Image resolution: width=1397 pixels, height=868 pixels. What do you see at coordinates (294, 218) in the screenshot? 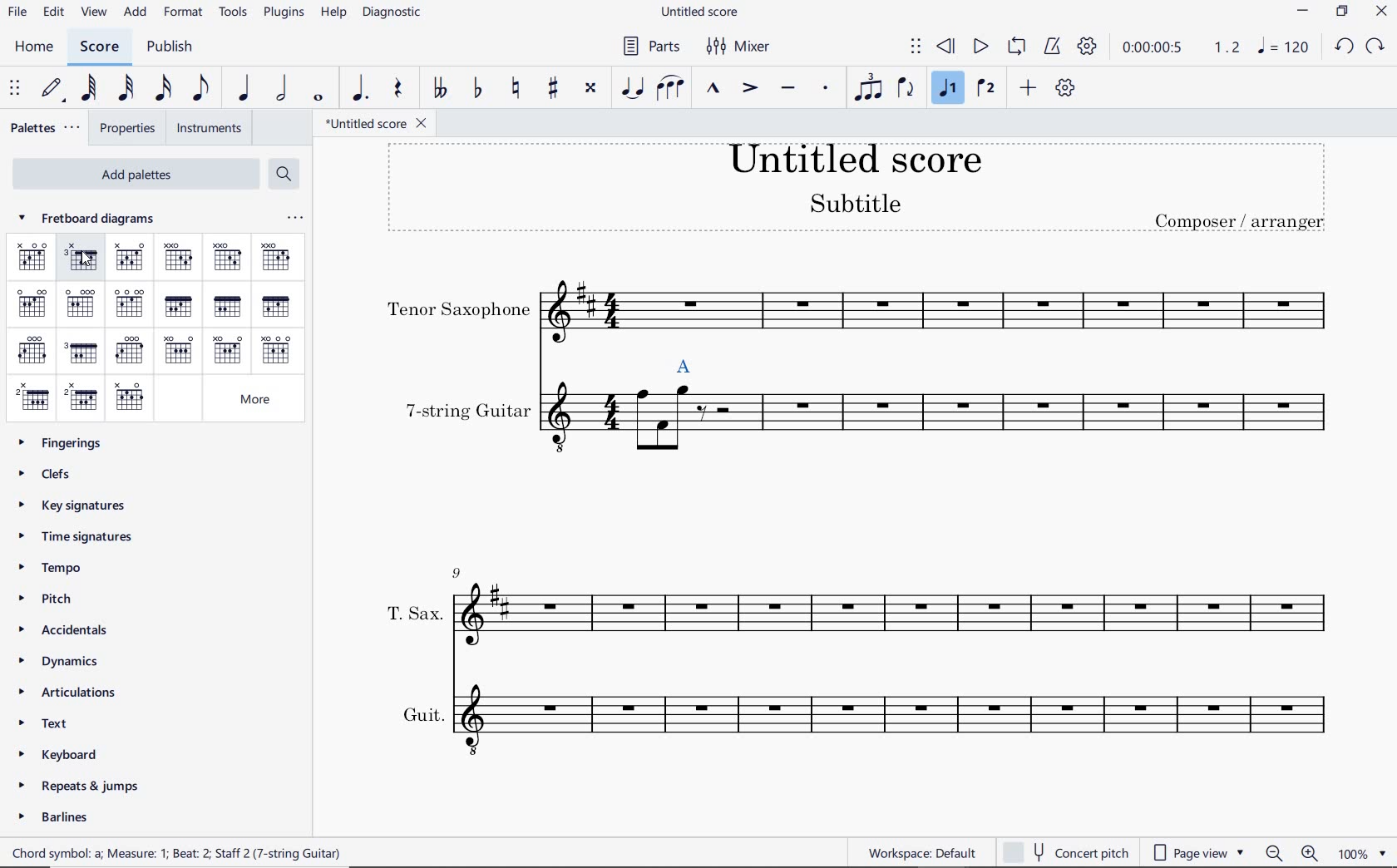
I see `ellipsis` at bounding box center [294, 218].